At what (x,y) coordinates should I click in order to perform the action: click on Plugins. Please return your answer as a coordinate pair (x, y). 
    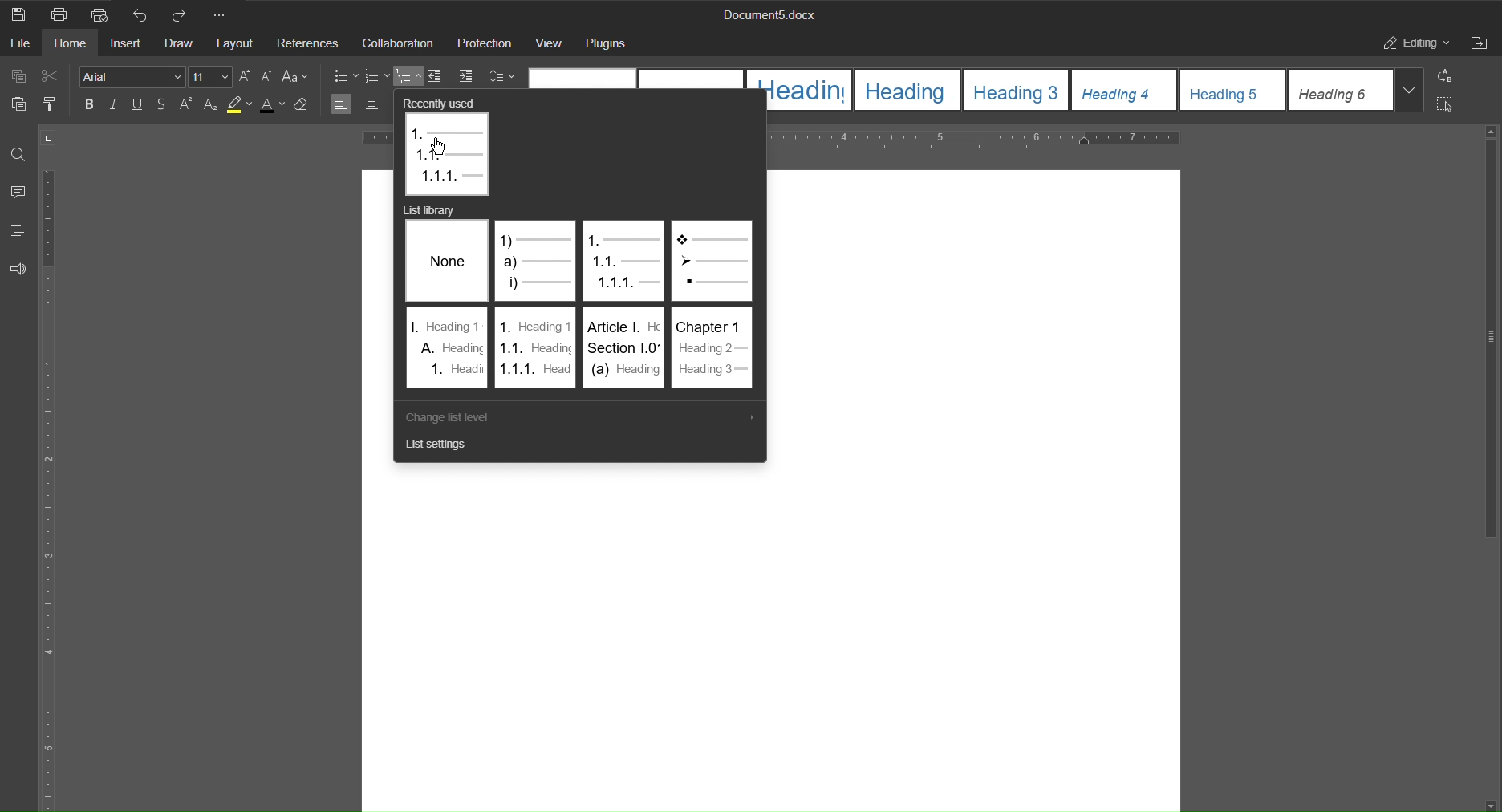
    Looking at the image, I should click on (611, 44).